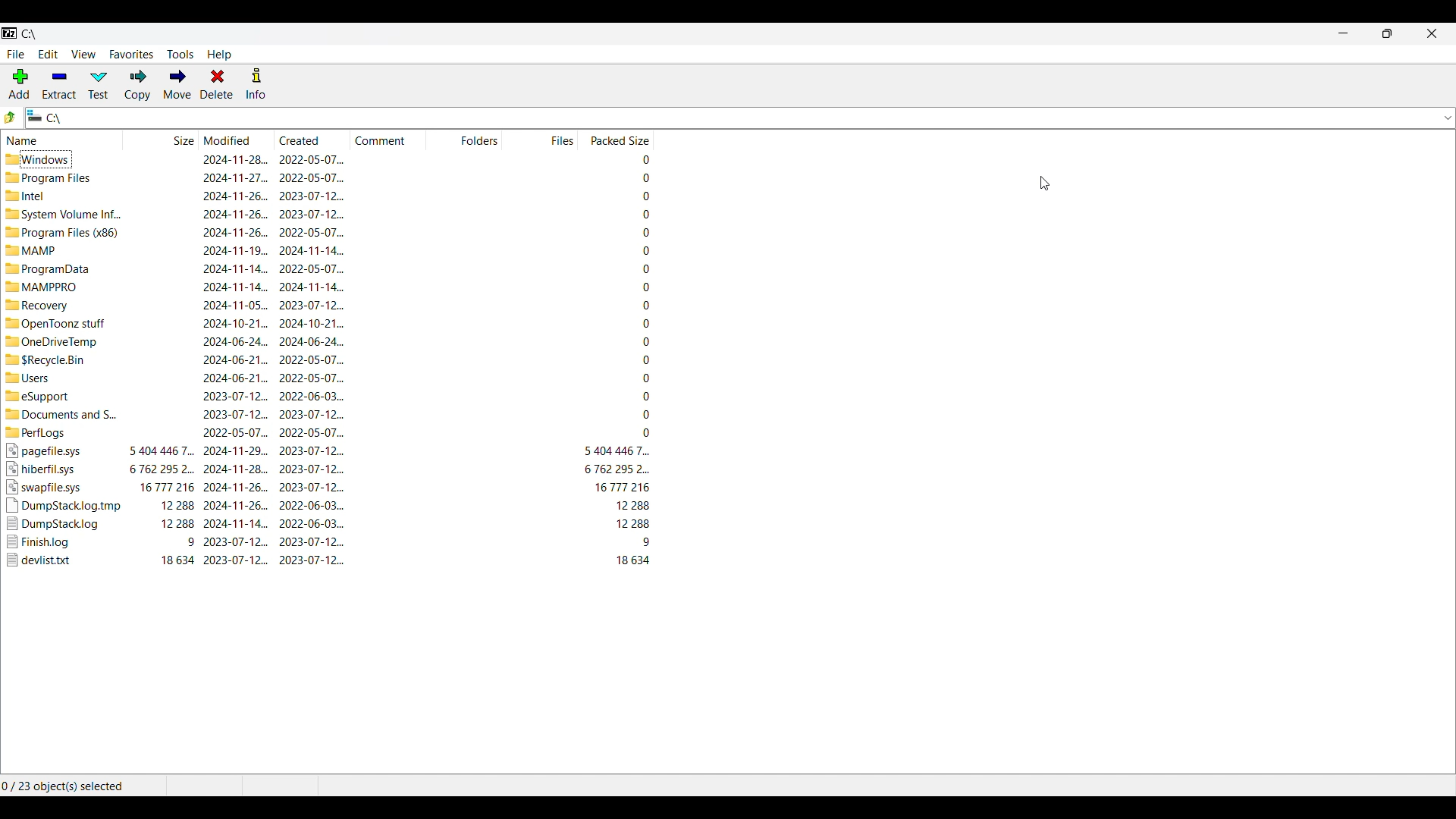 This screenshot has height=819, width=1456. I want to click on Help menu, so click(218, 55).